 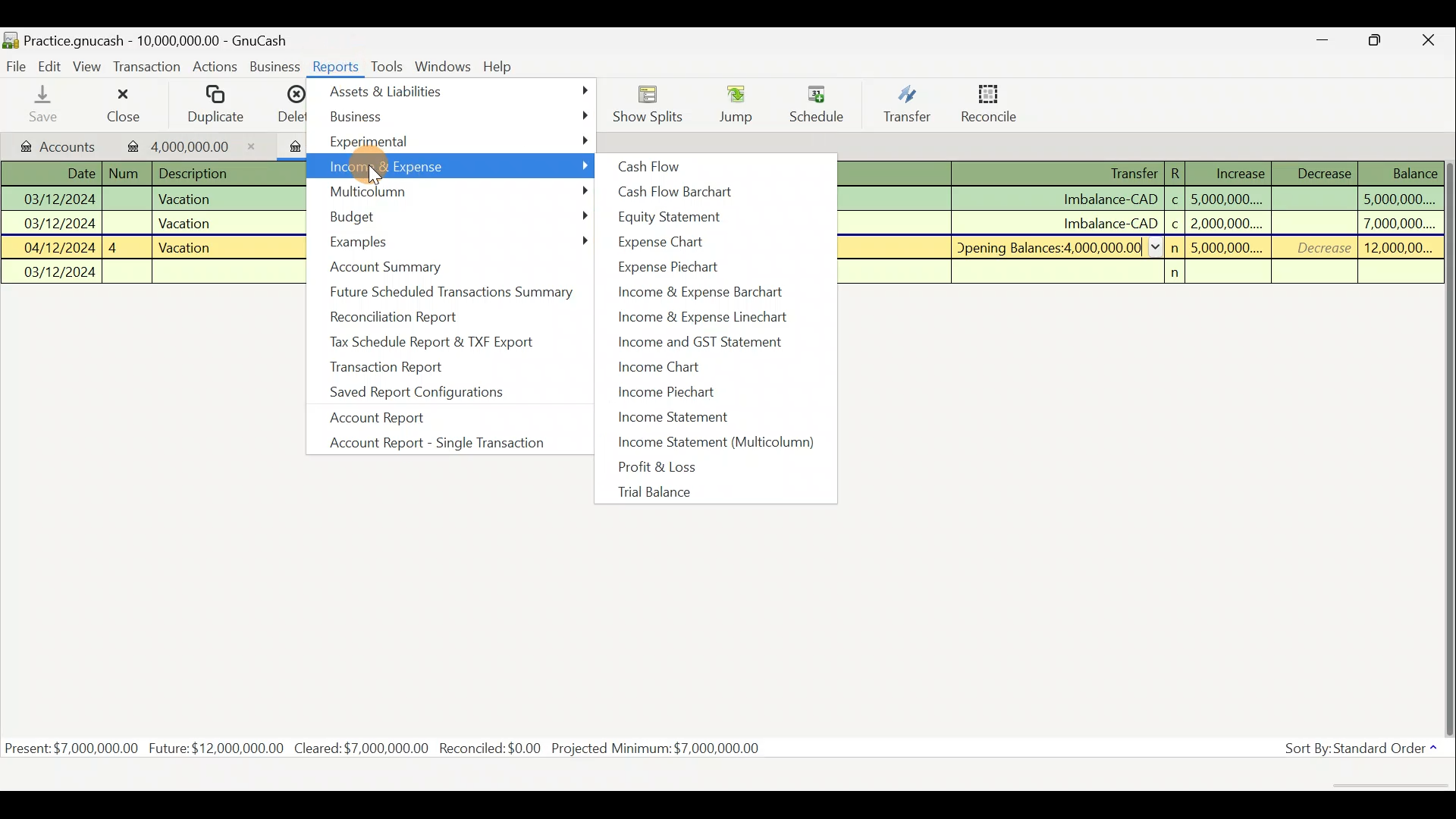 I want to click on Business, so click(x=458, y=116).